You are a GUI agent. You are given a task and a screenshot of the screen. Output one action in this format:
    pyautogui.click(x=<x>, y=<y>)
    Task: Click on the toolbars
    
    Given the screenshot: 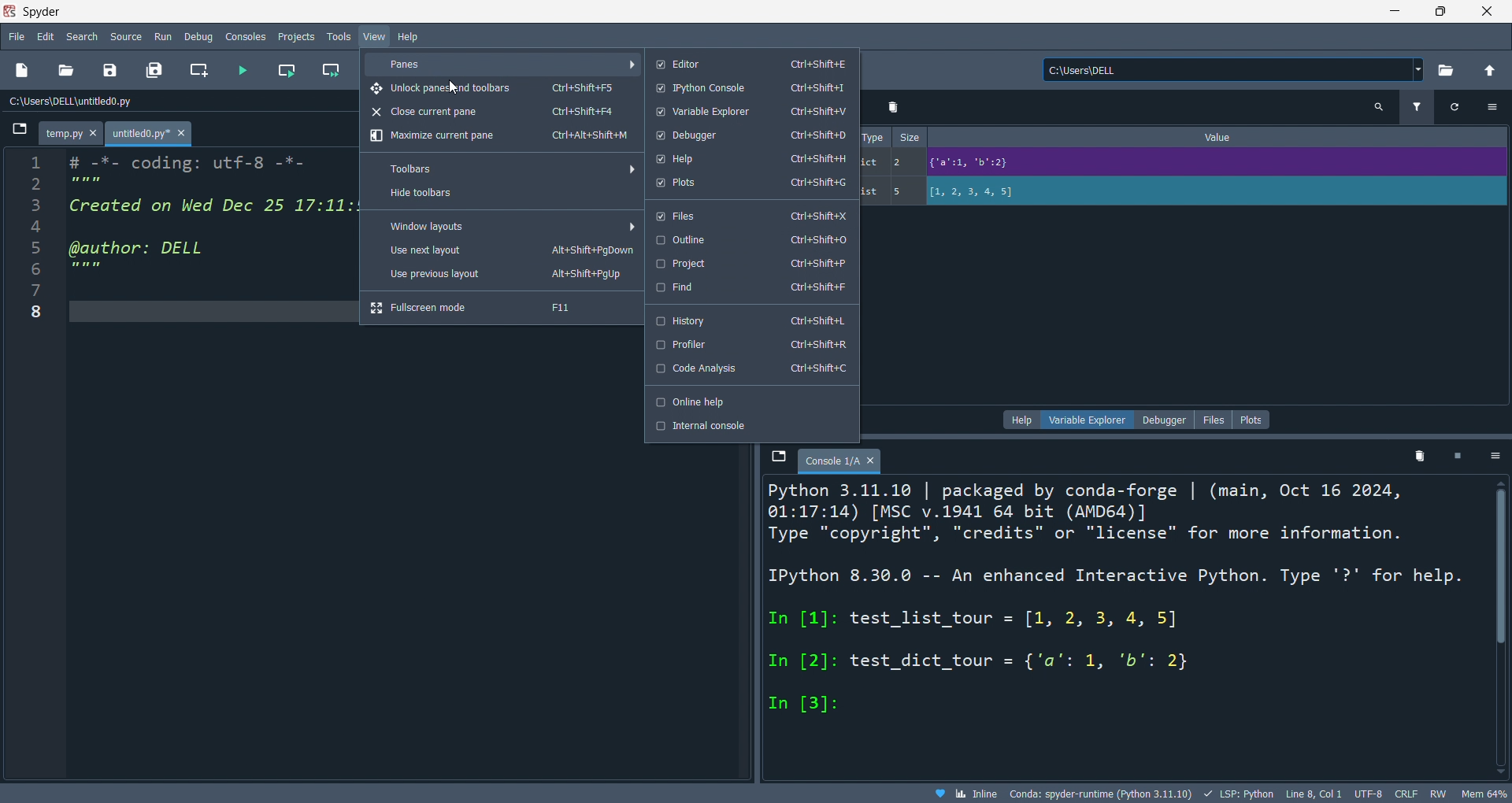 What is the action you would take?
    pyautogui.click(x=509, y=168)
    